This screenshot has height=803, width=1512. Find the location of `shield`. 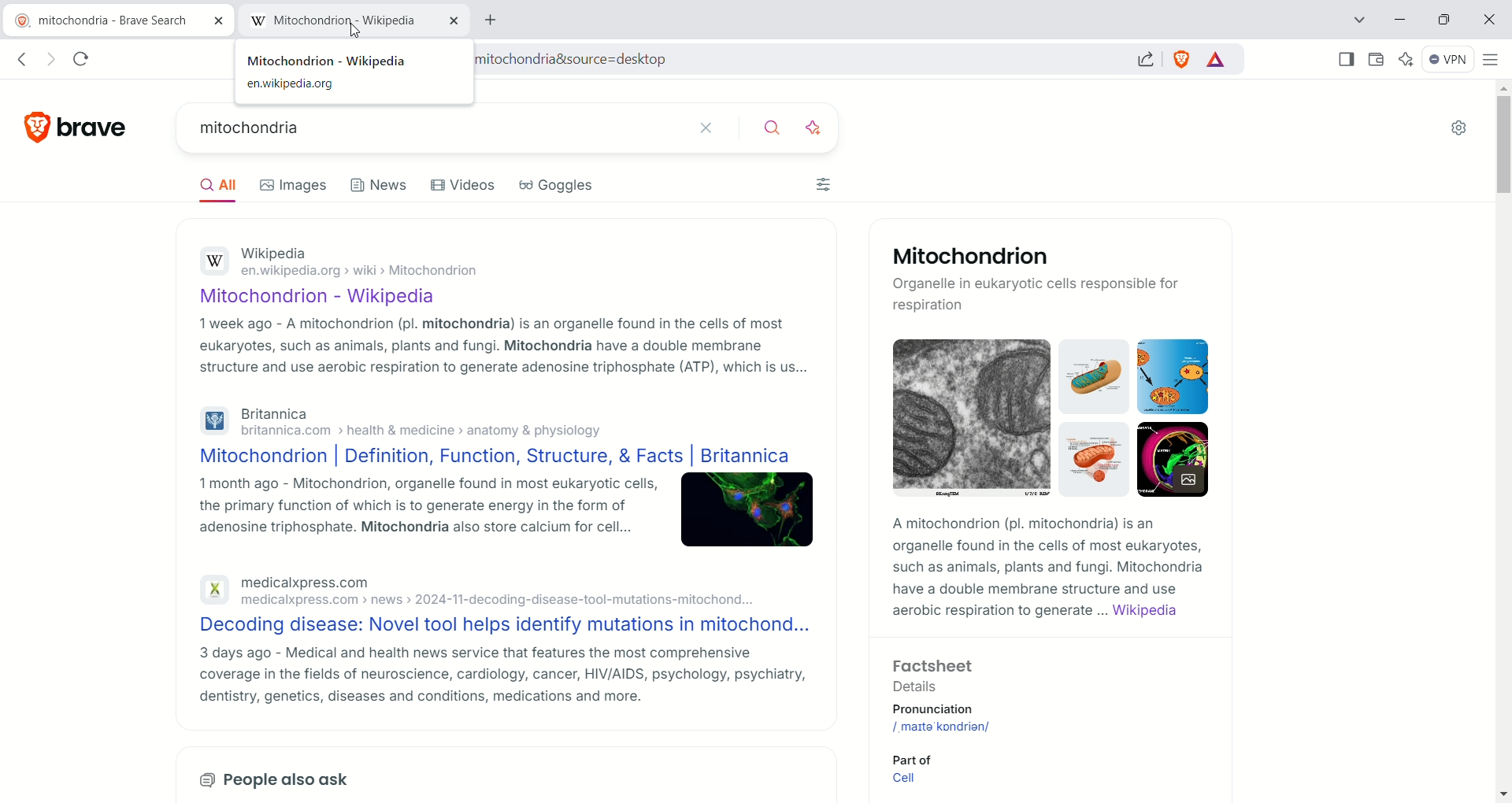

shield is located at coordinates (1184, 57).